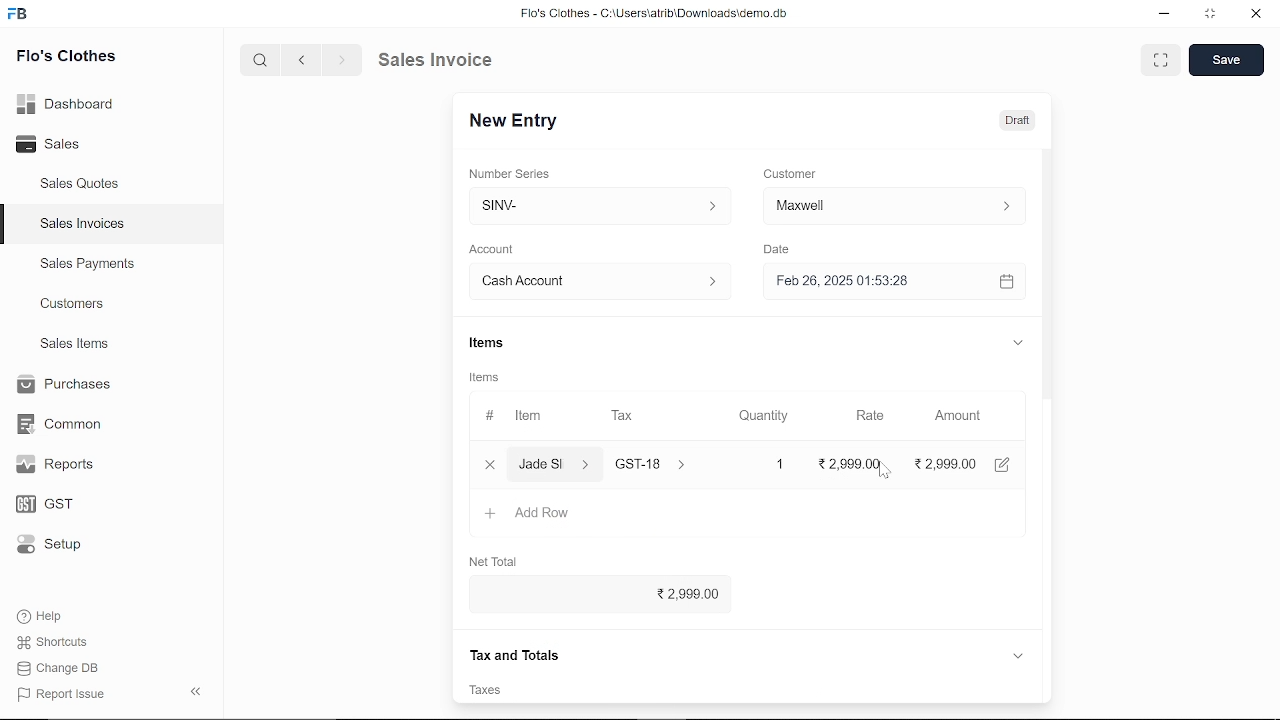 This screenshot has height=720, width=1280. I want to click on References, so click(514, 653).